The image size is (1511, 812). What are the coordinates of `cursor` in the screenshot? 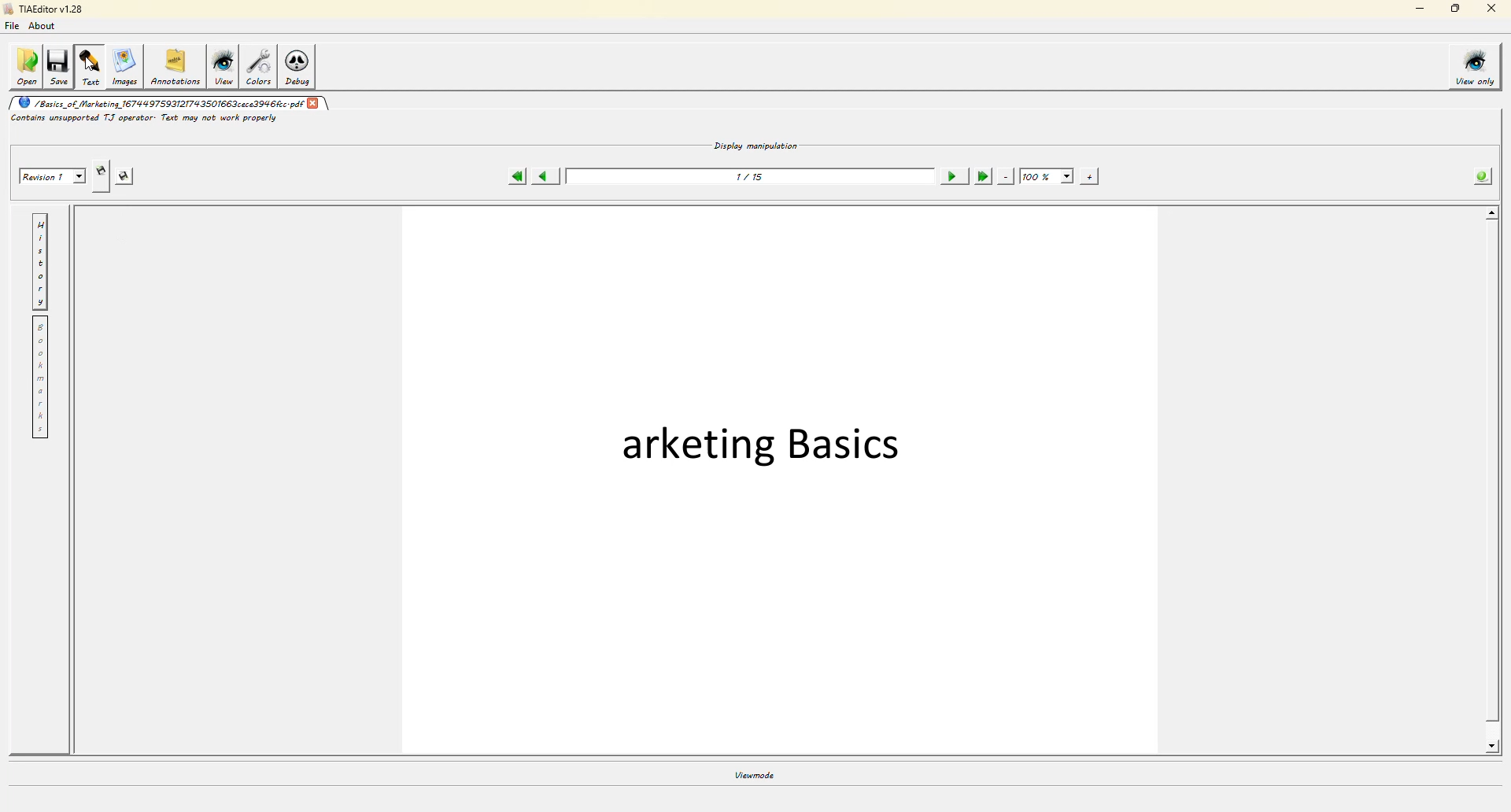 It's located at (90, 63).